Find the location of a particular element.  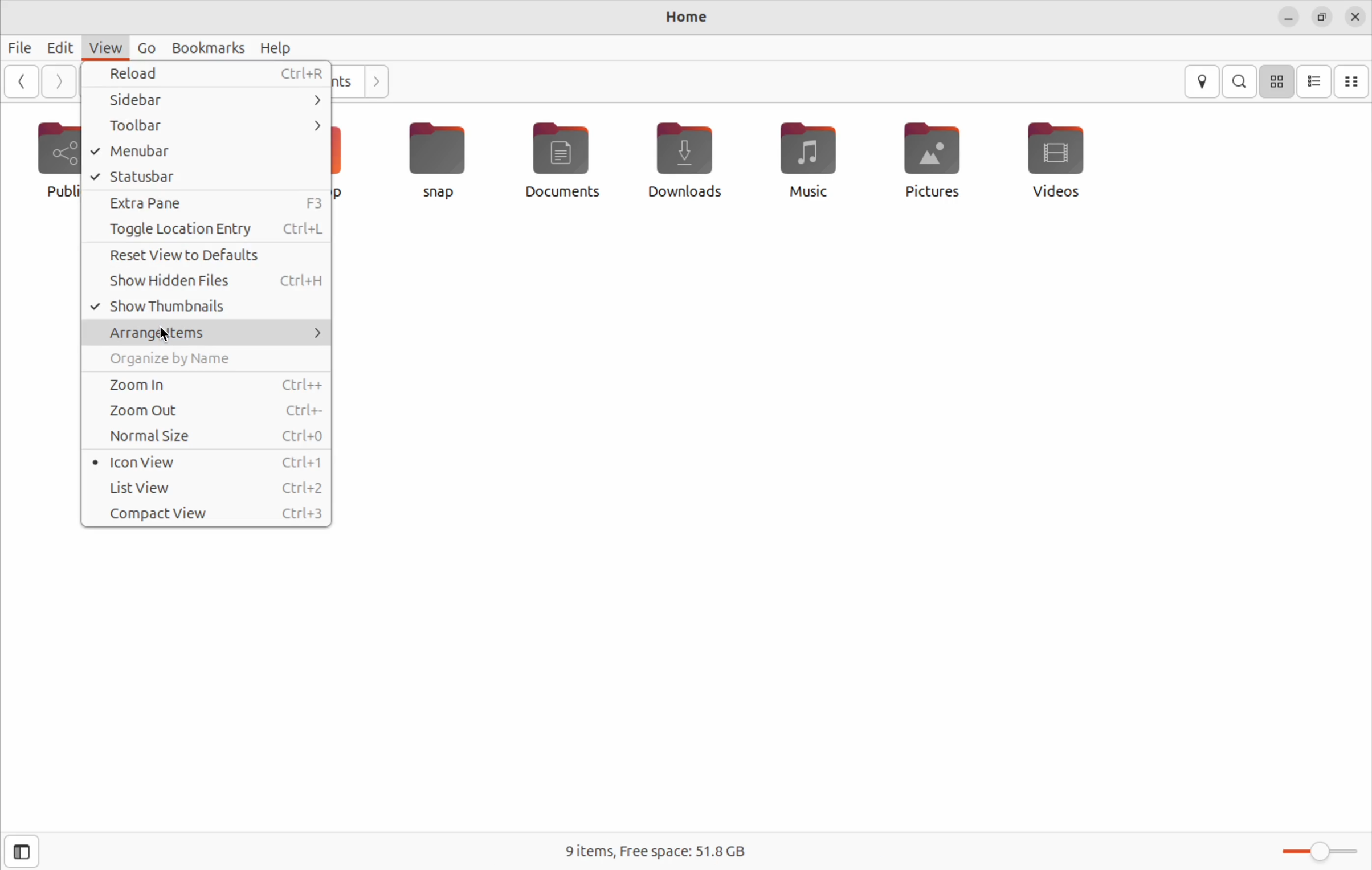

tool bar is located at coordinates (208, 125).